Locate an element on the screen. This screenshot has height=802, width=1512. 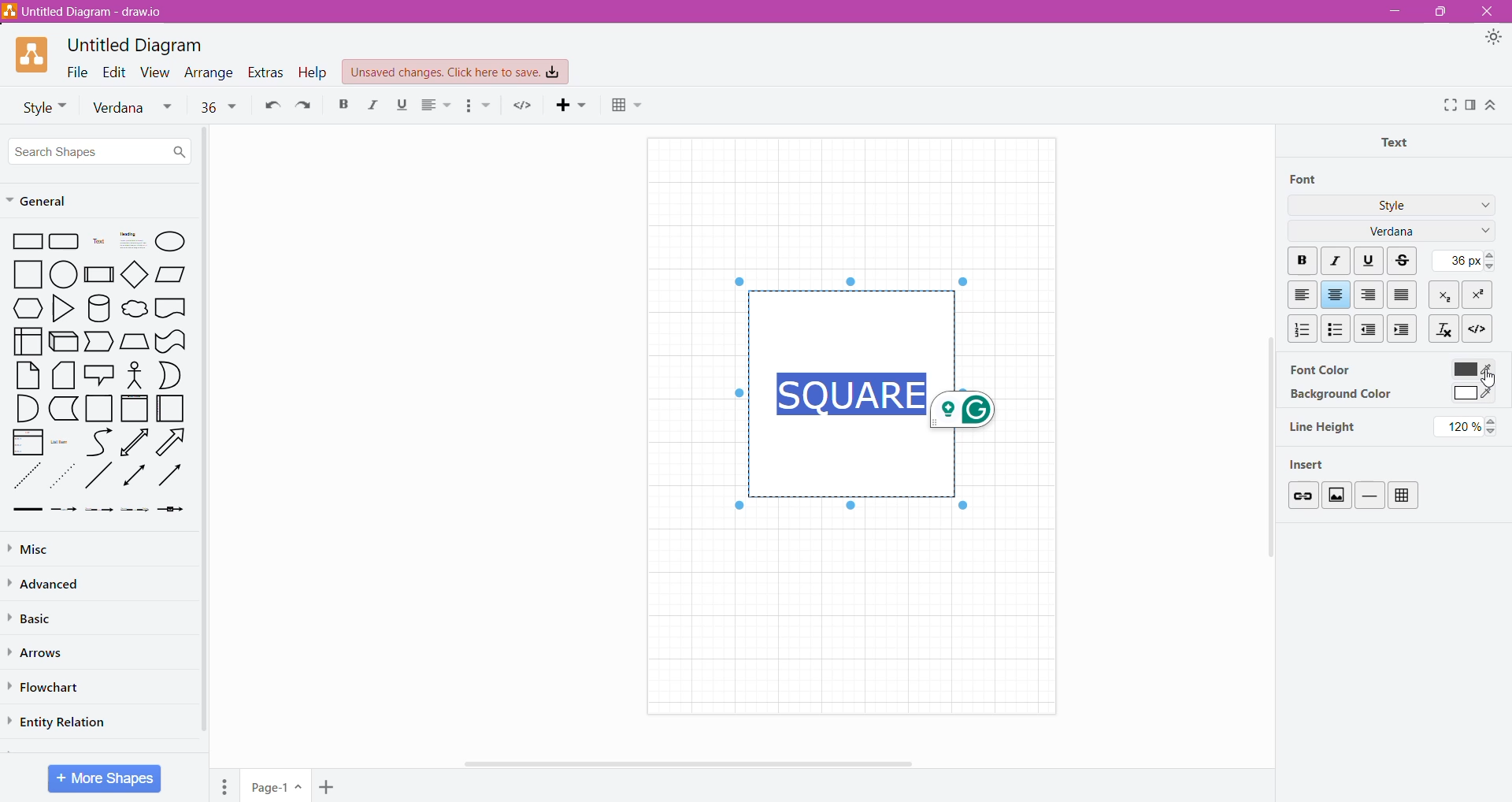
Add Pages is located at coordinates (328, 788).